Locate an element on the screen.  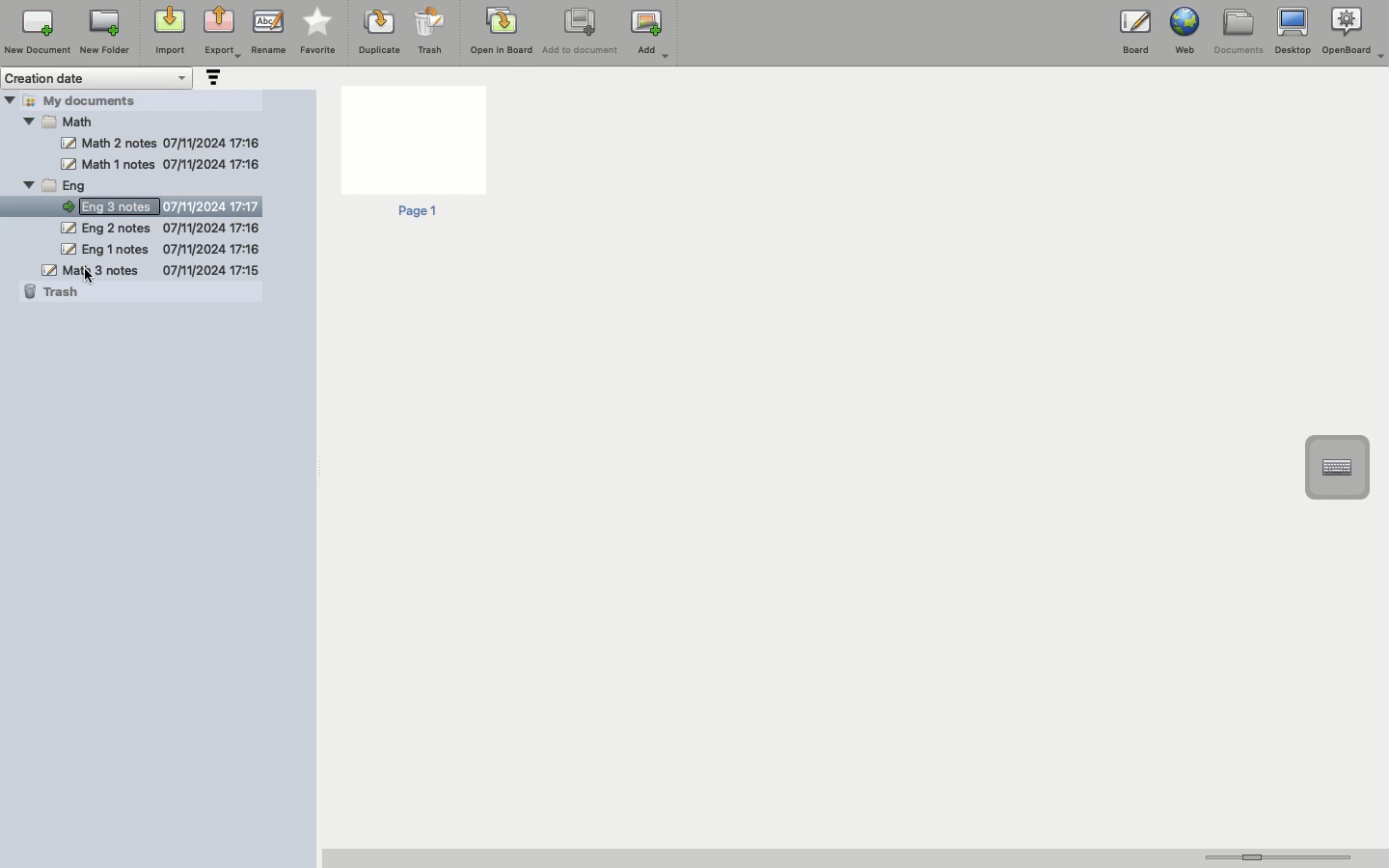
Trash is located at coordinates (52, 291).